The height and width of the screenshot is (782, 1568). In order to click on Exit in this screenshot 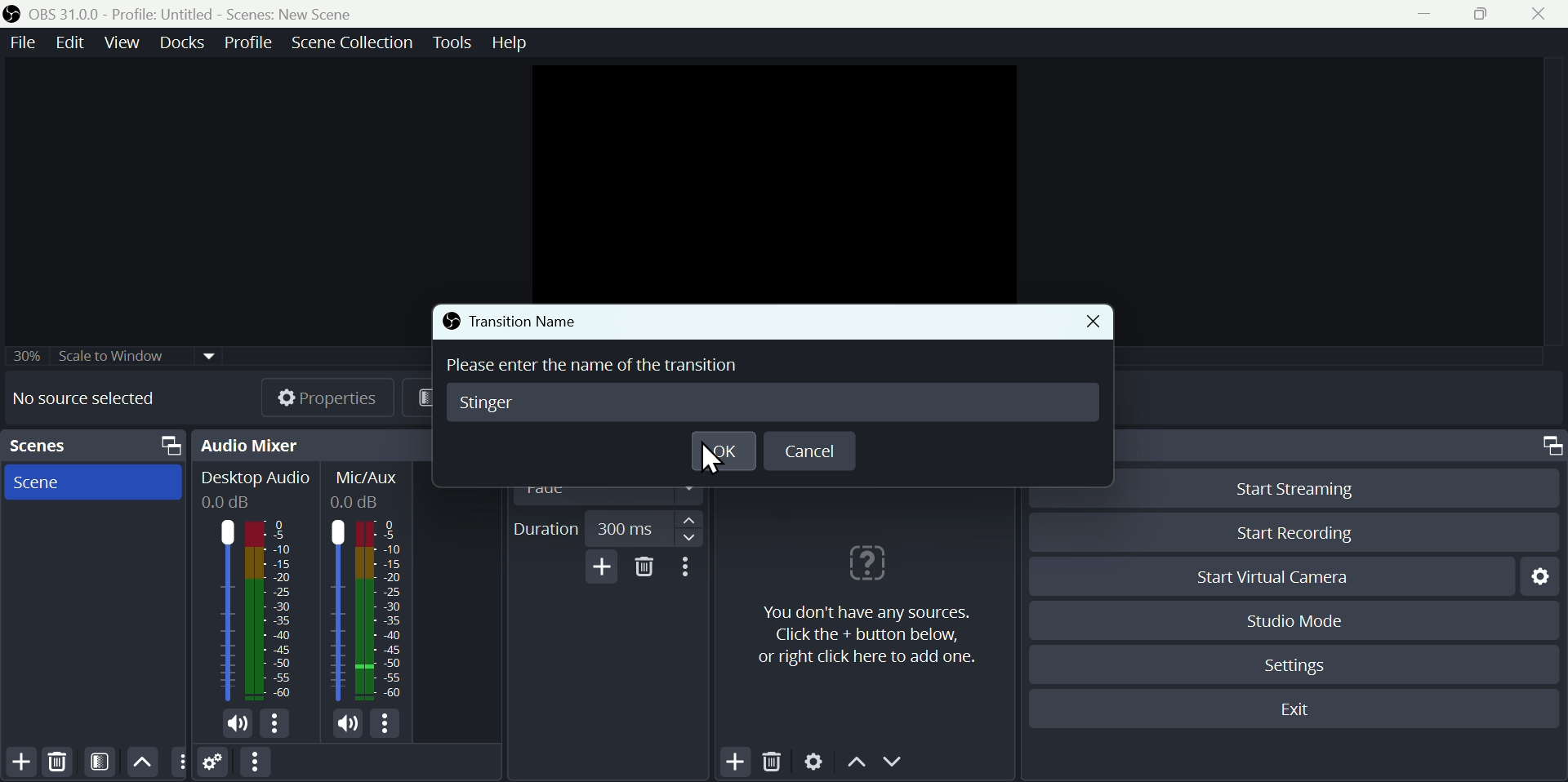, I will do `click(1298, 711)`.